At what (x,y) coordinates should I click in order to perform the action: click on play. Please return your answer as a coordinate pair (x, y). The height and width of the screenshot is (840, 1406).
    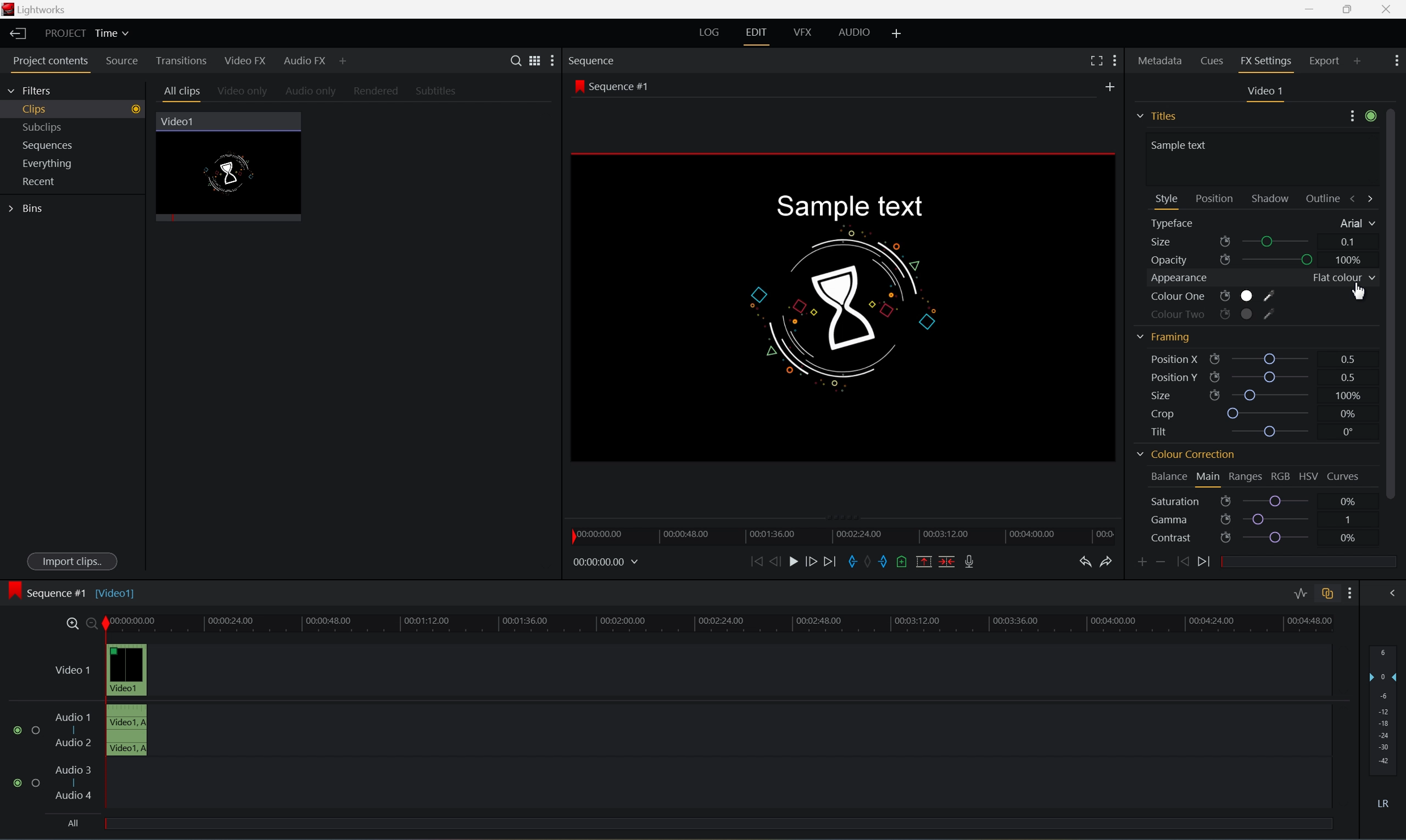
    Looking at the image, I should click on (797, 562).